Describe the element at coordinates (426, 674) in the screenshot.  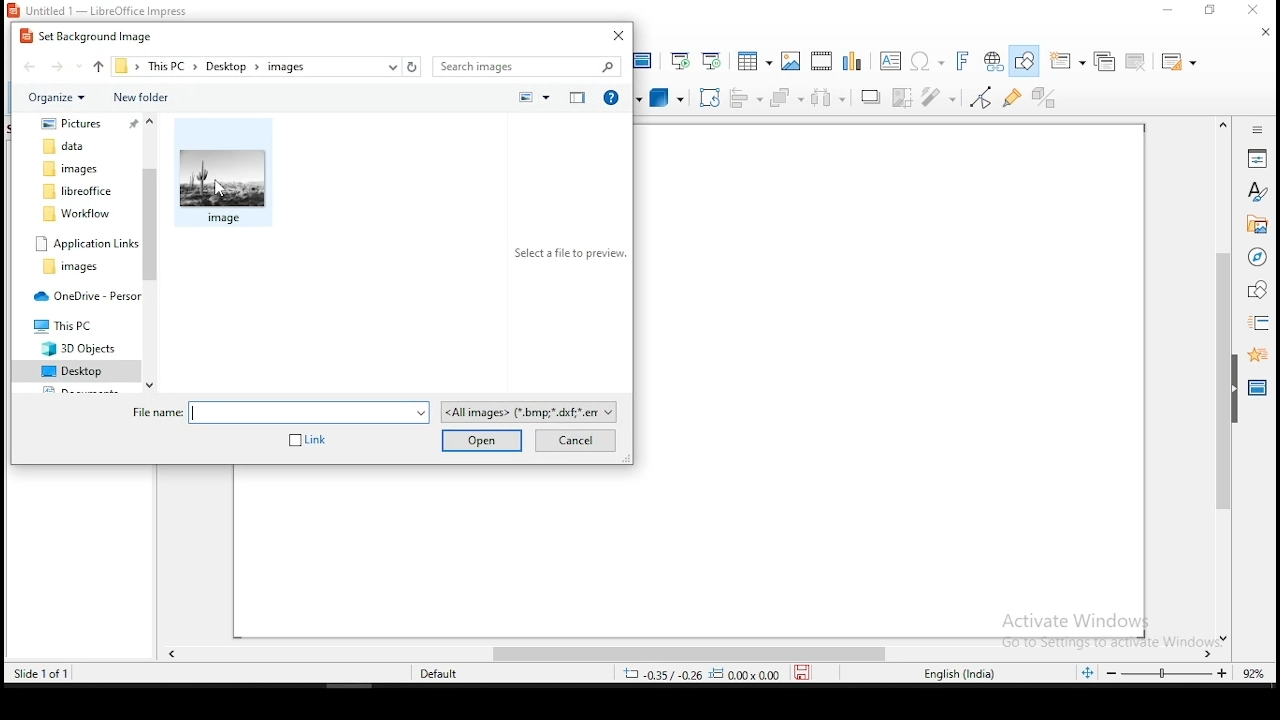
I see `default` at that location.